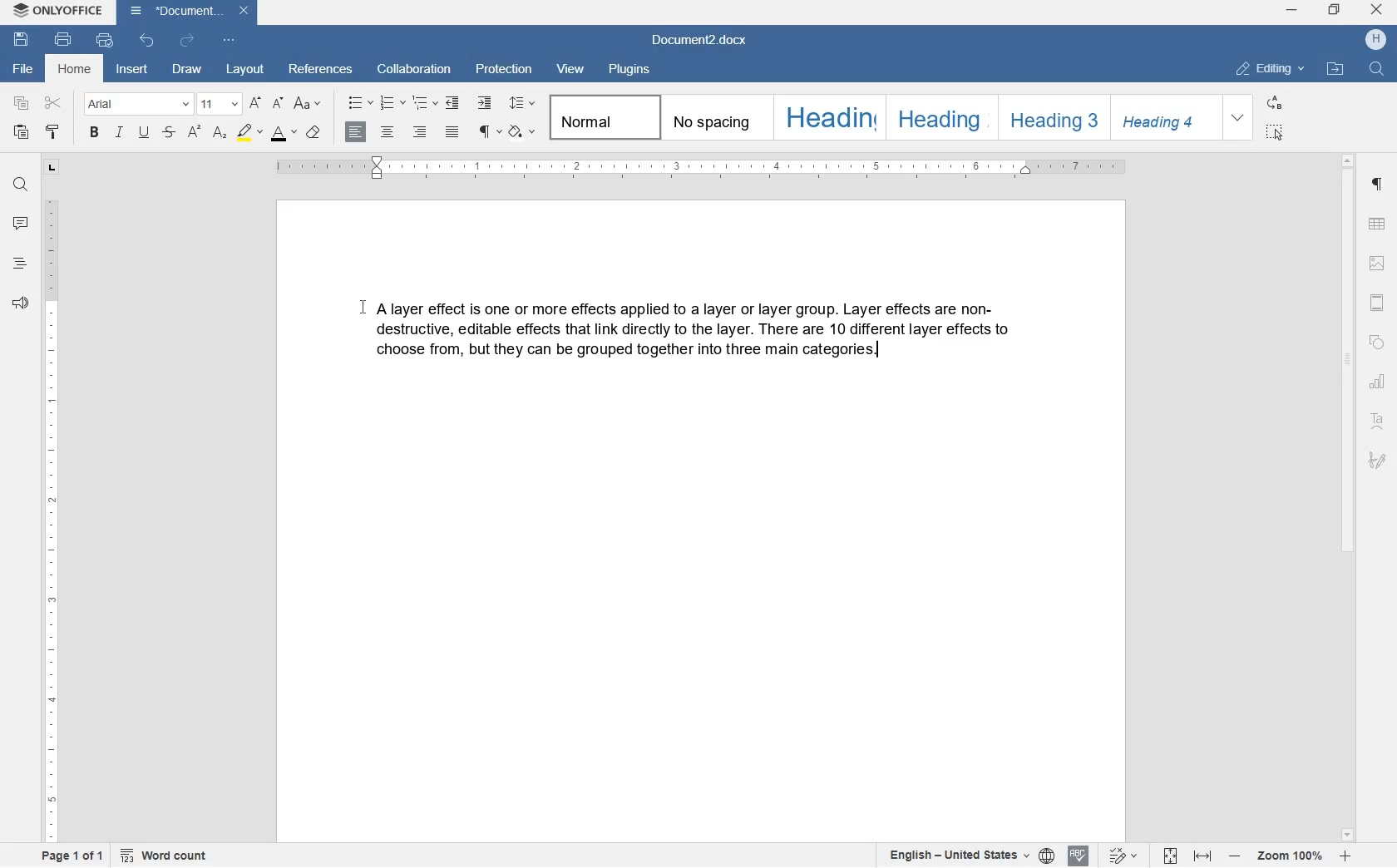 This screenshot has width=1397, height=868. I want to click on numbering, so click(390, 103).